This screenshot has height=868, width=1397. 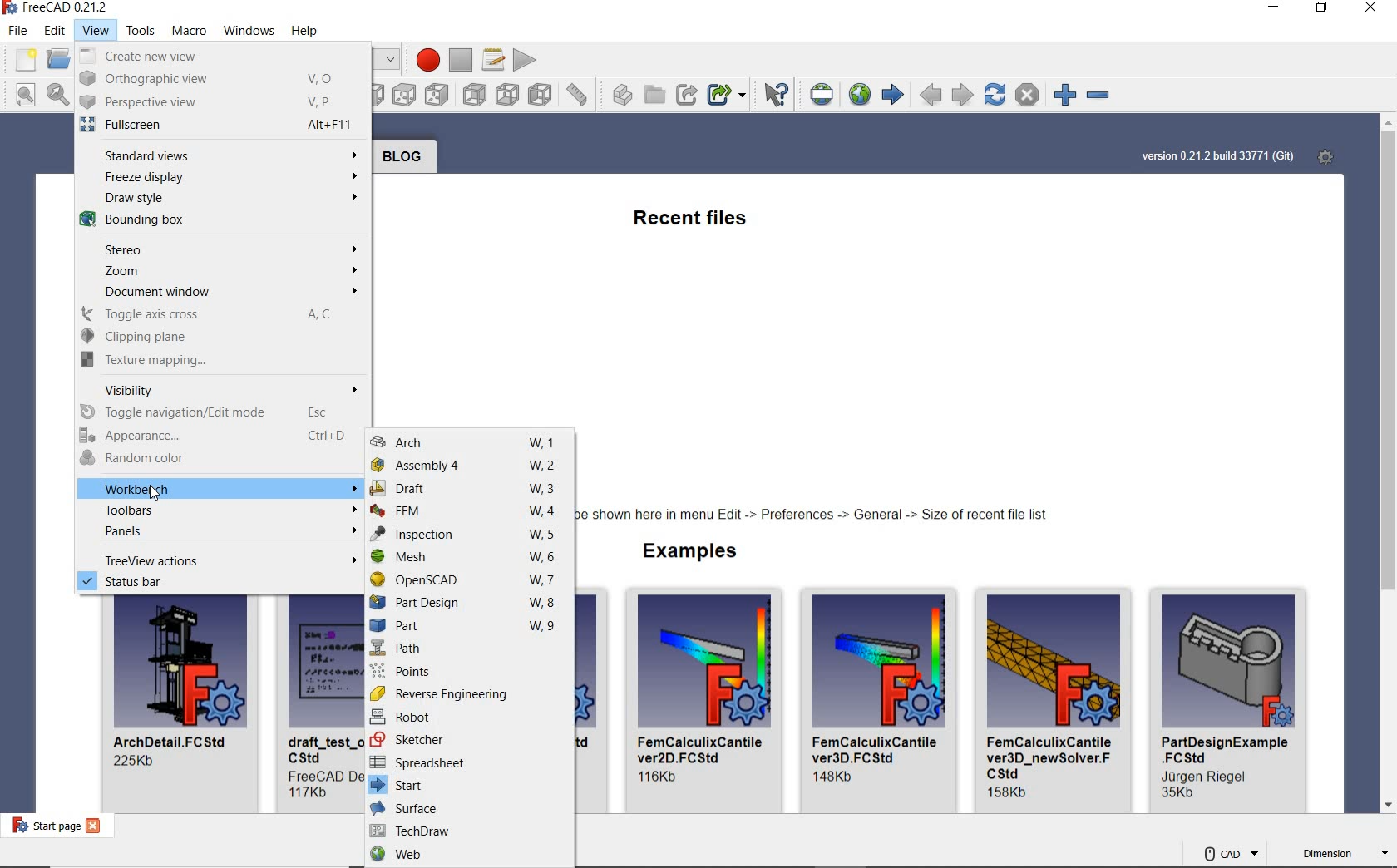 I want to click on Part Design, so click(x=466, y=602).